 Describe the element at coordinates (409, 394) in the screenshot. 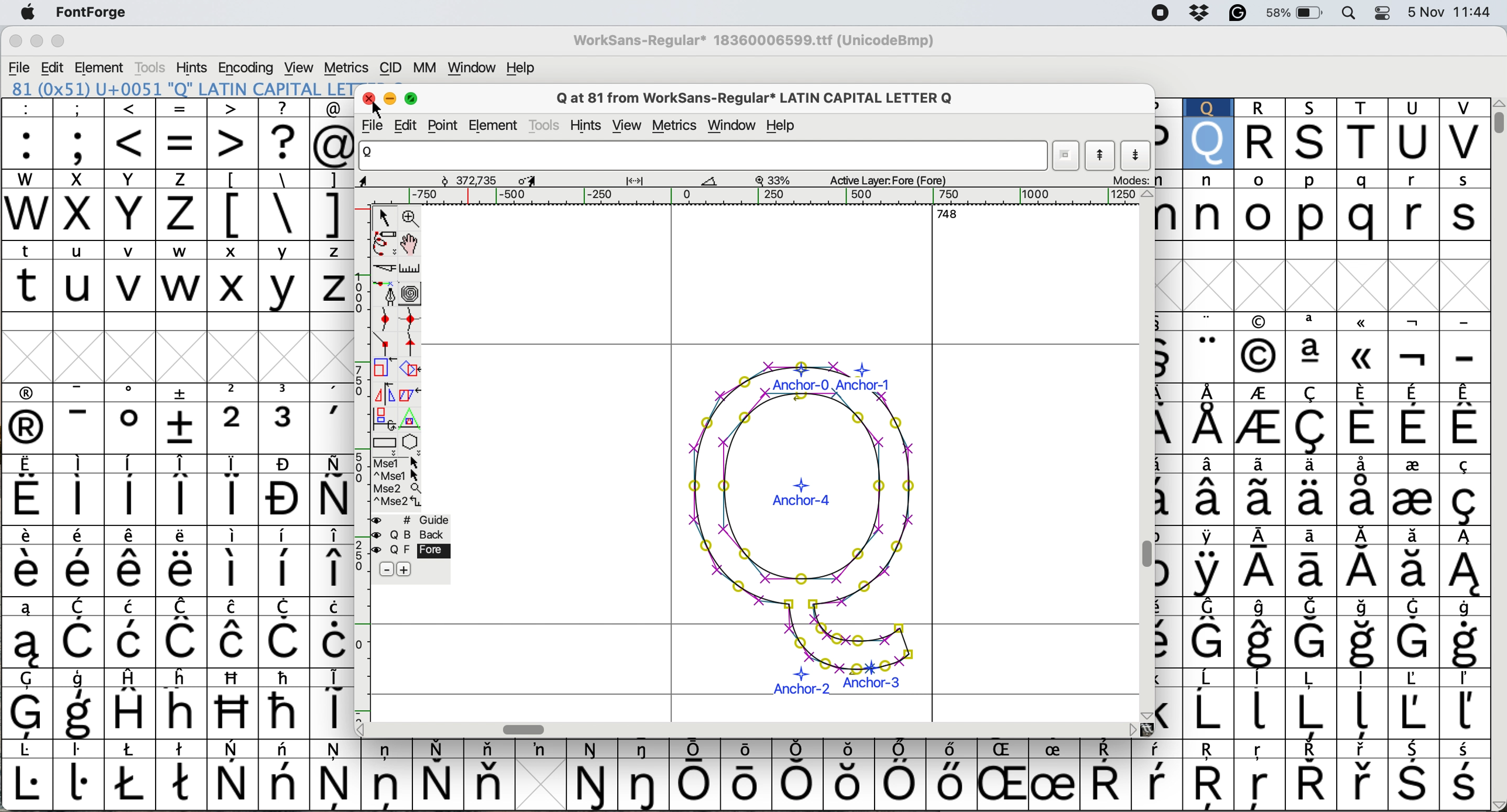

I see `skew the selection` at that location.